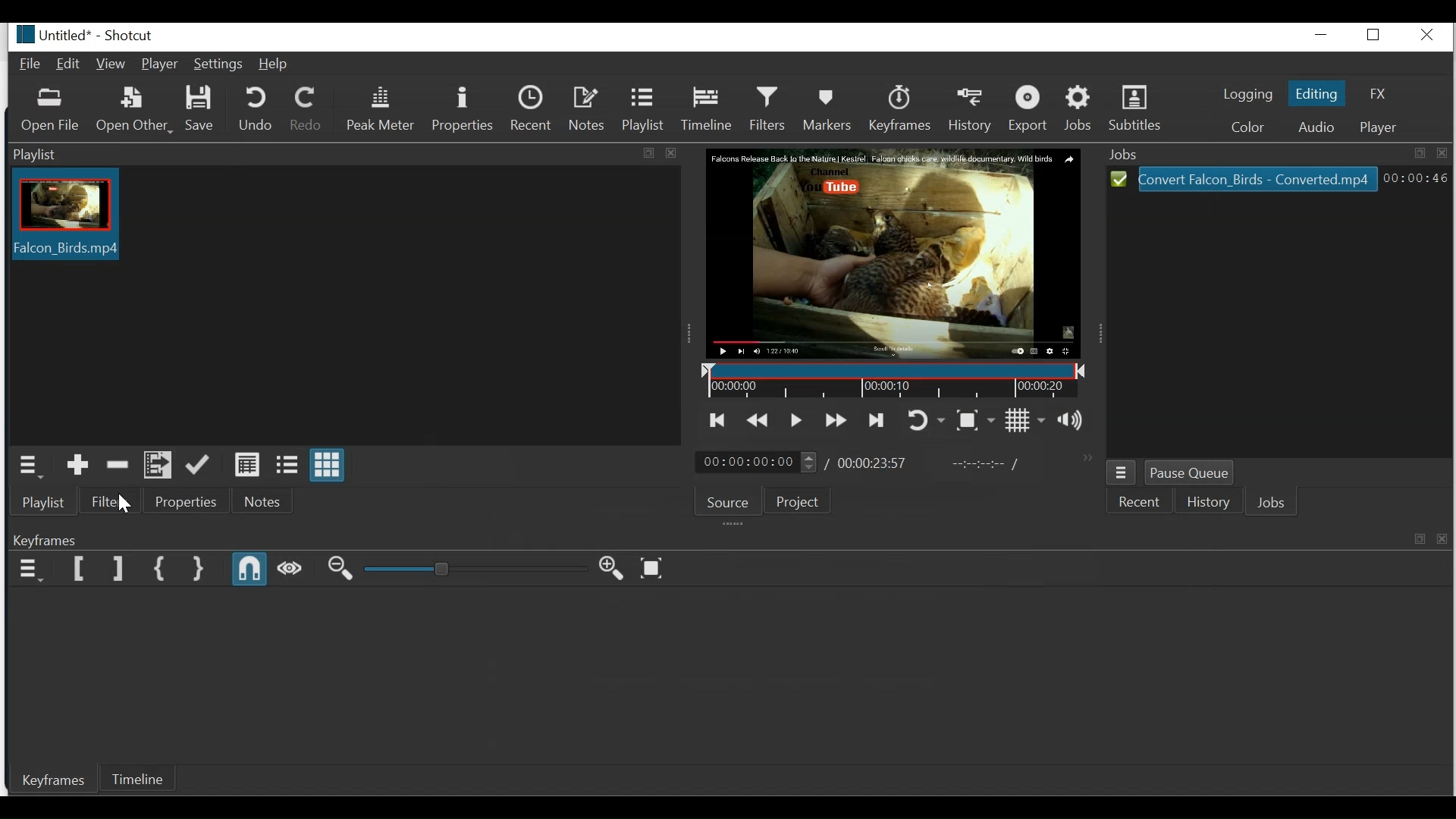 The image size is (1456, 819). I want to click on Recent, so click(1143, 500).